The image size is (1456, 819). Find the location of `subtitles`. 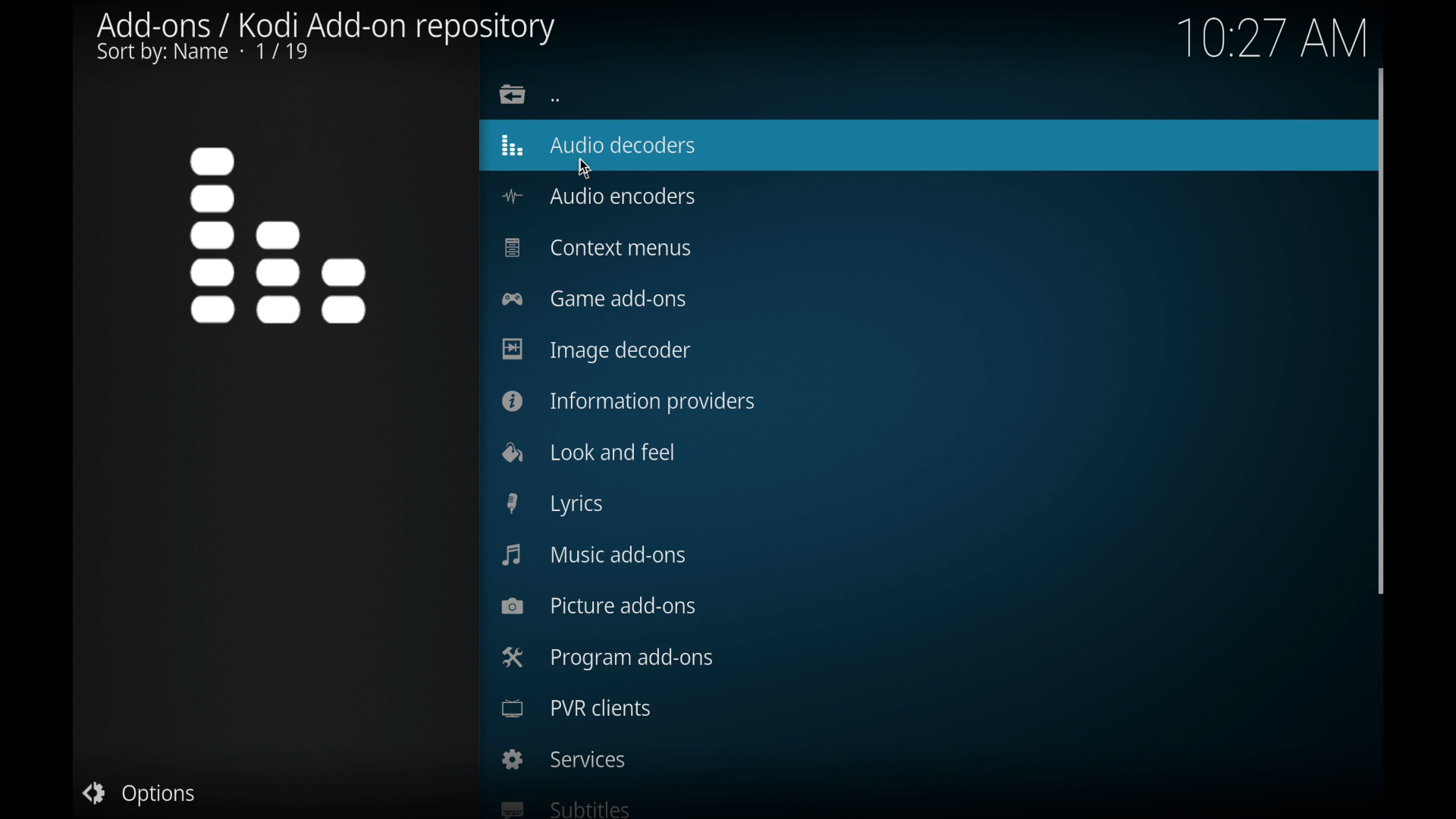

subtitles is located at coordinates (563, 807).